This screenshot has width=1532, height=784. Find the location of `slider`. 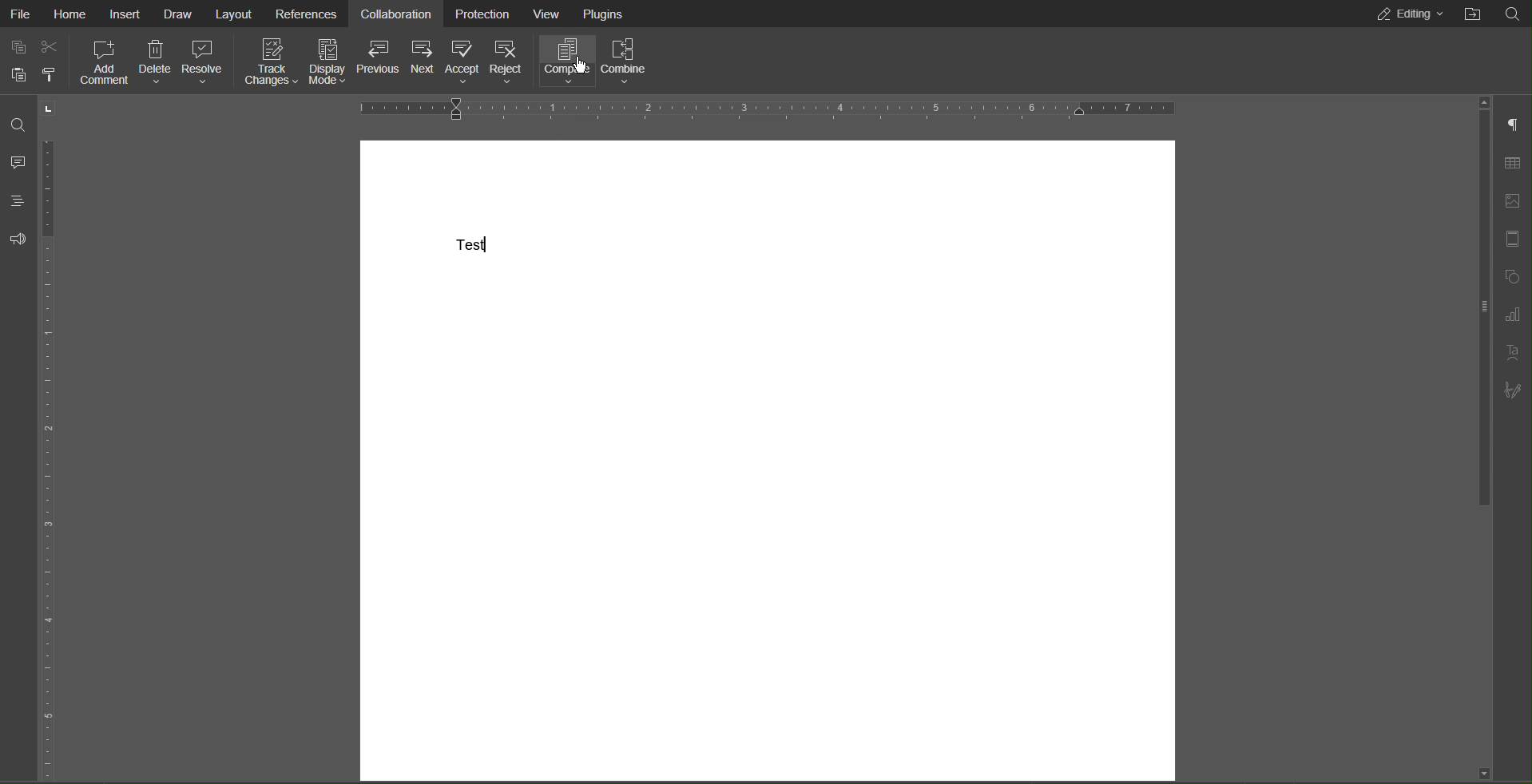

slider is located at coordinates (1476, 313).